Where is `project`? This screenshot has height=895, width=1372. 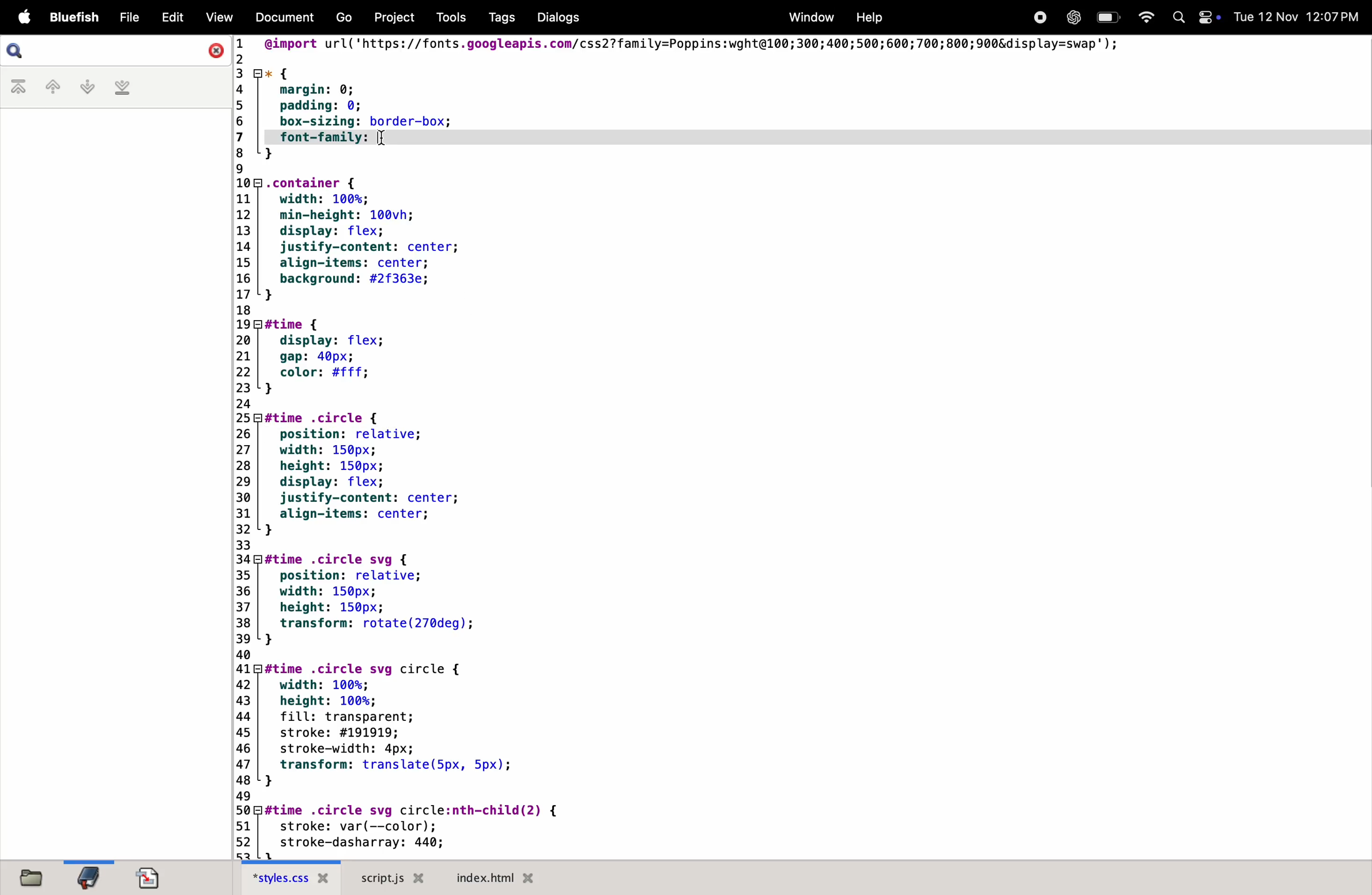
project is located at coordinates (390, 17).